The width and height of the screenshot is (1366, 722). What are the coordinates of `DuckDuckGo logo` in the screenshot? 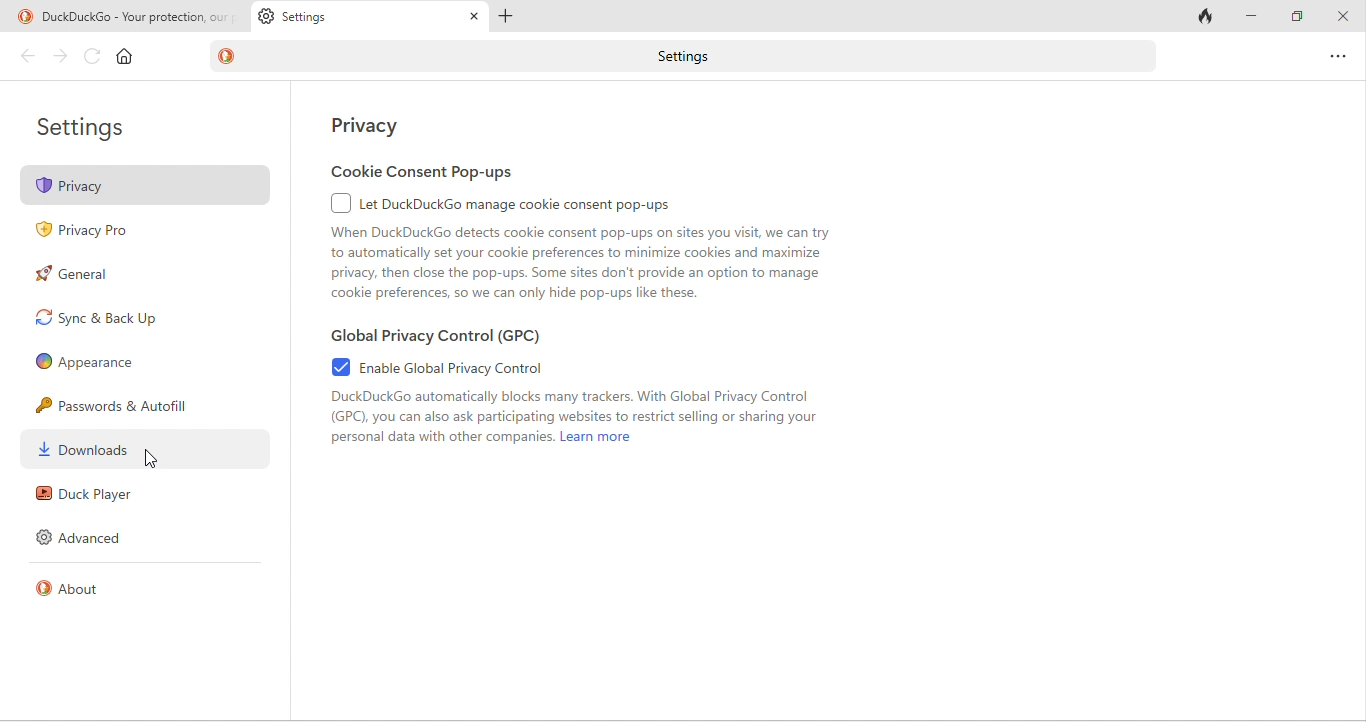 It's located at (230, 55).